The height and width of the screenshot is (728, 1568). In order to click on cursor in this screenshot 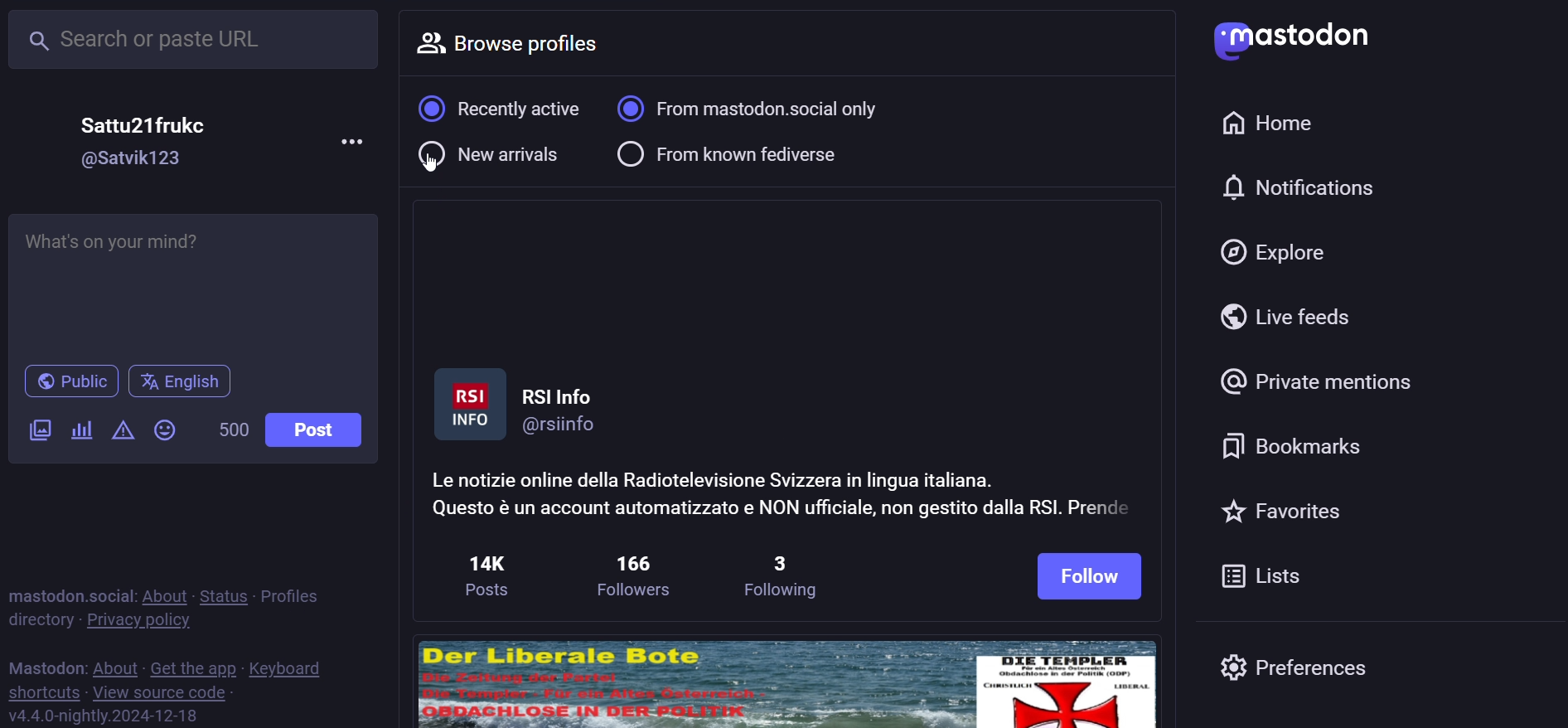, I will do `click(428, 168)`.